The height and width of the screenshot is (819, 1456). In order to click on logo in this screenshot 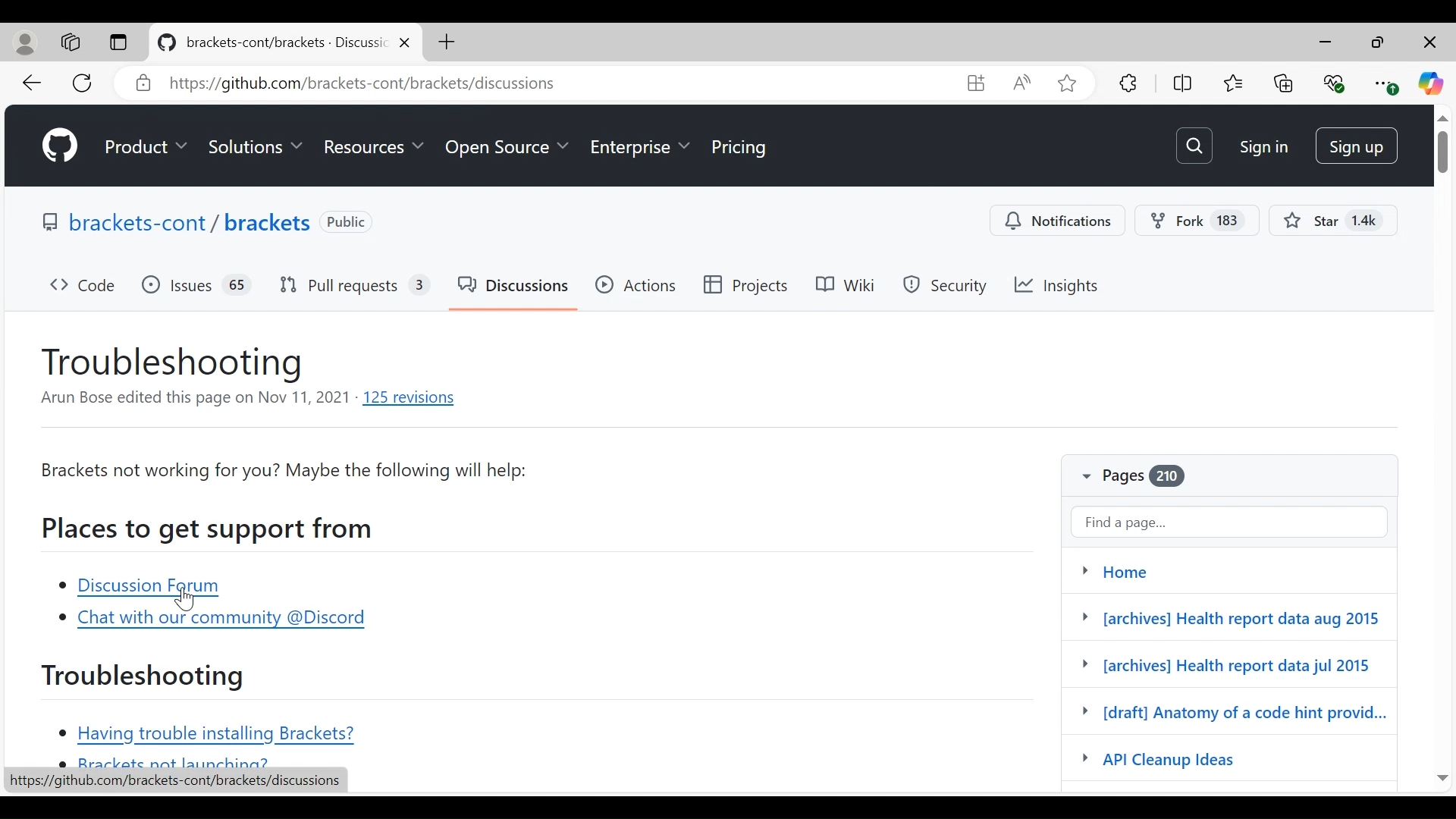, I will do `click(165, 43)`.